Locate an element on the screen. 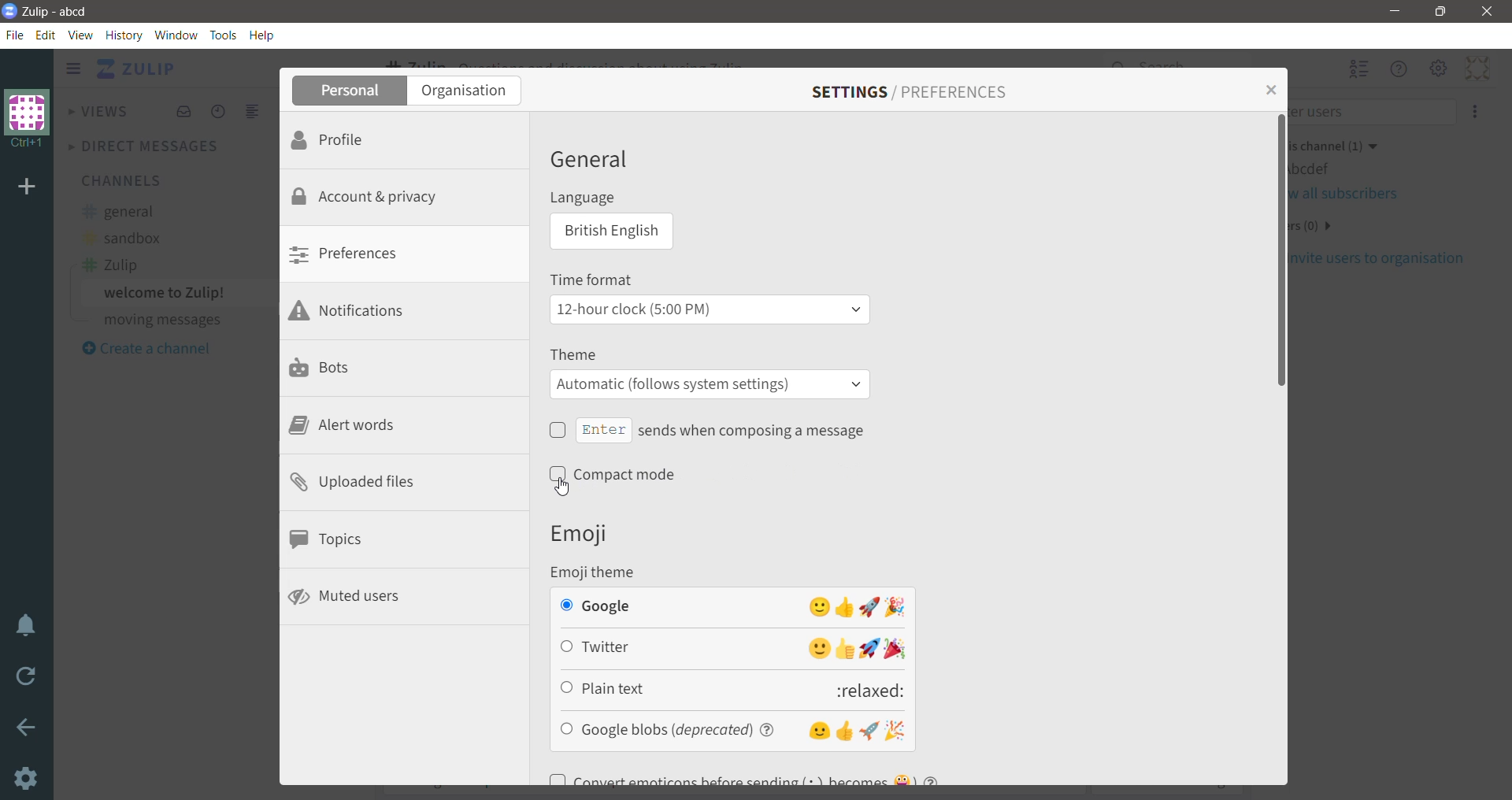  Personal Menu is located at coordinates (1475, 68).